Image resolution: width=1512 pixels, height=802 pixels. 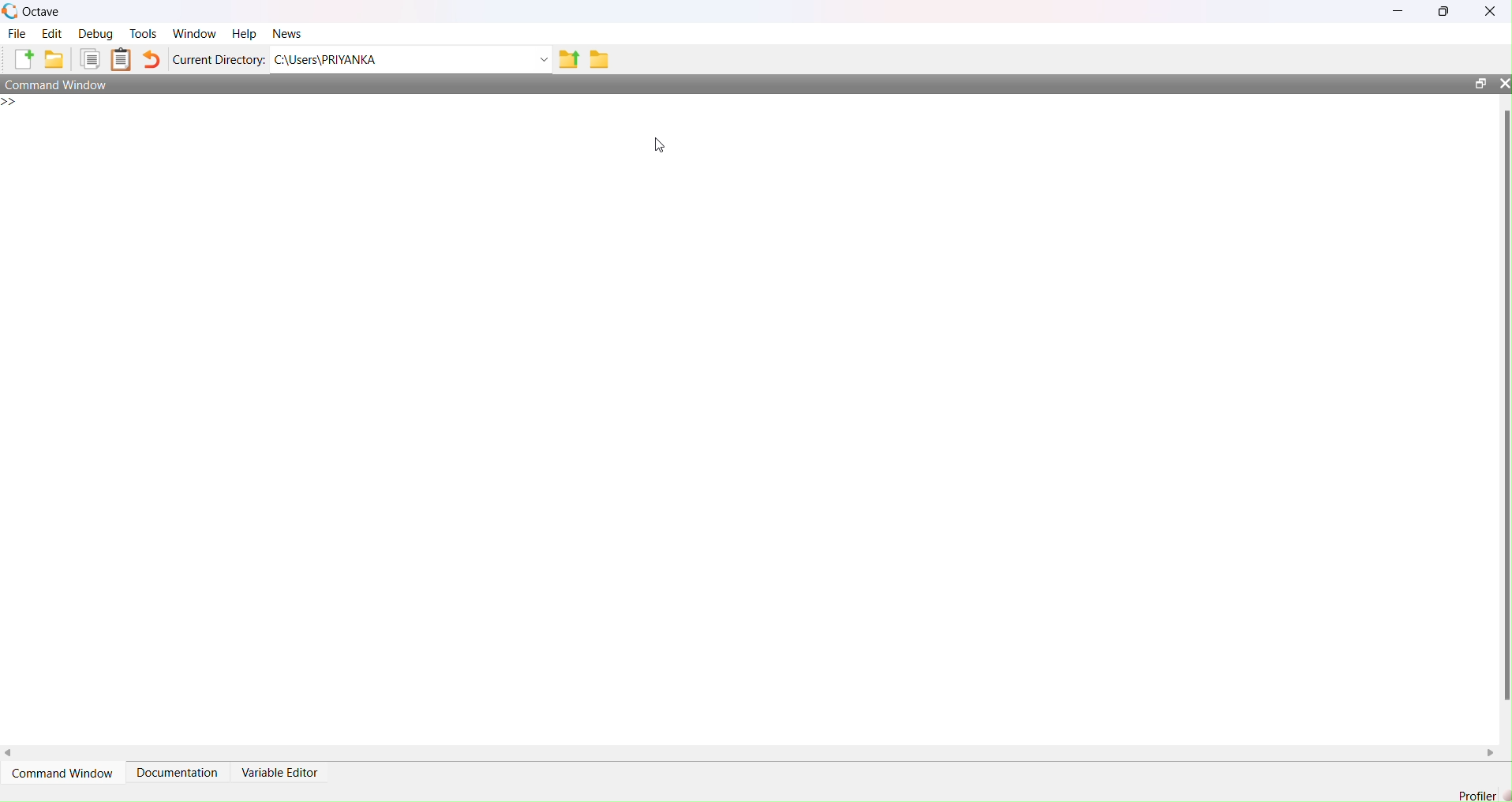 What do you see at coordinates (141, 35) in the screenshot?
I see `Tools` at bounding box center [141, 35].